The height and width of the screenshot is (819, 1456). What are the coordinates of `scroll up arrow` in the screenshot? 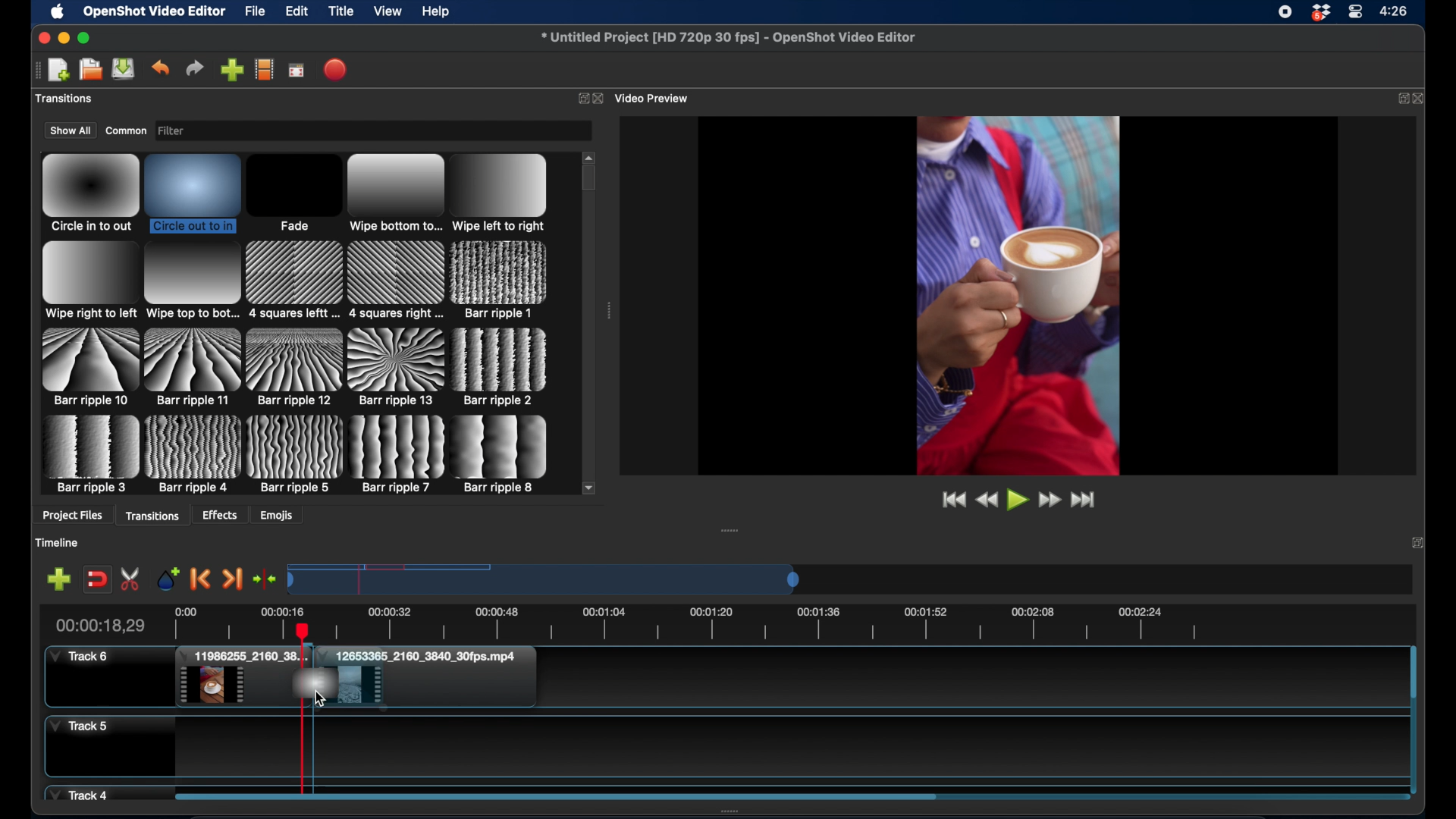 It's located at (590, 155).